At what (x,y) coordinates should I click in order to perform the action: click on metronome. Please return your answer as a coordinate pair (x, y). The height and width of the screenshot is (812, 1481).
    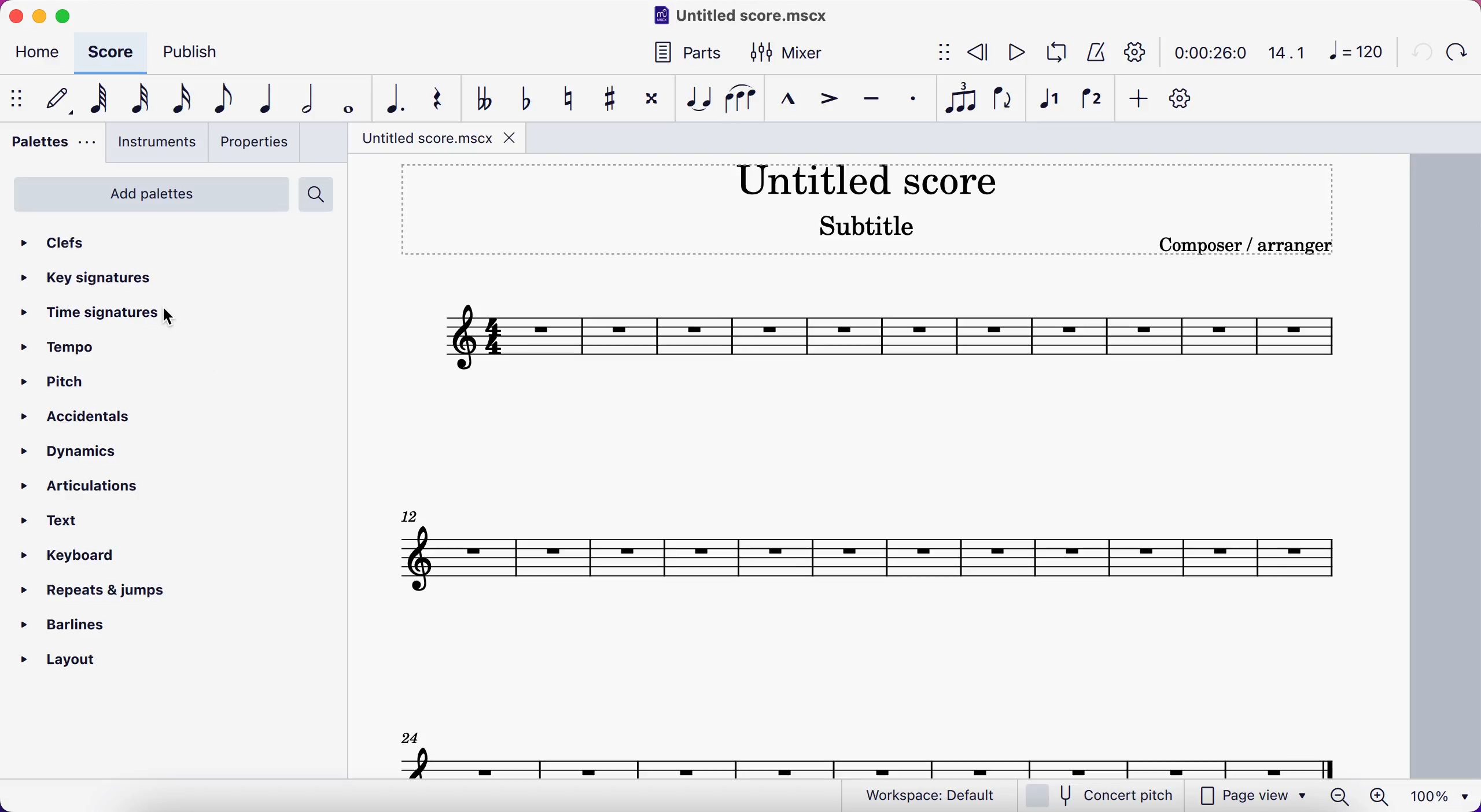
    Looking at the image, I should click on (1092, 53).